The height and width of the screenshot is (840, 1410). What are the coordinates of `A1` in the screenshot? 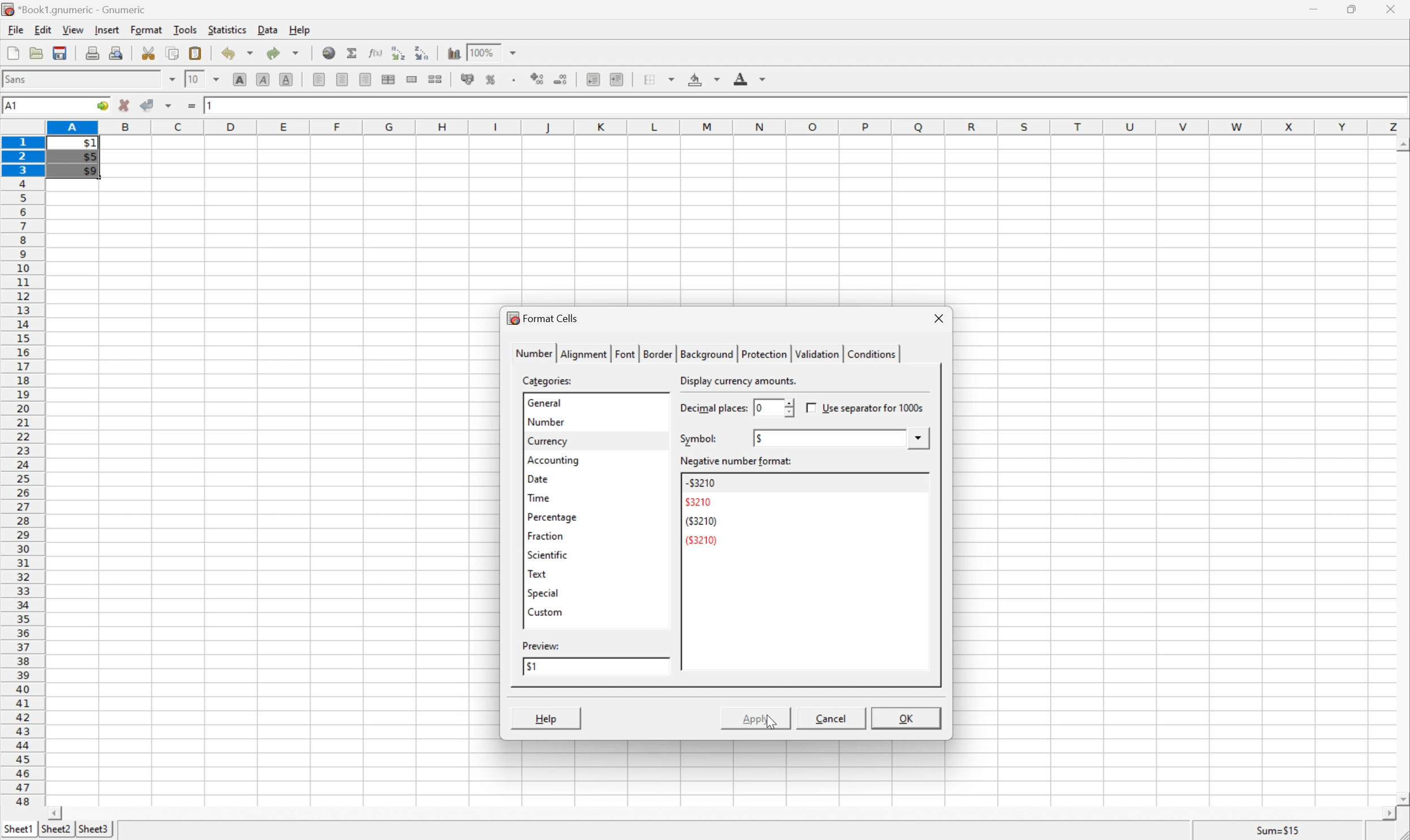 It's located at (14, 106).